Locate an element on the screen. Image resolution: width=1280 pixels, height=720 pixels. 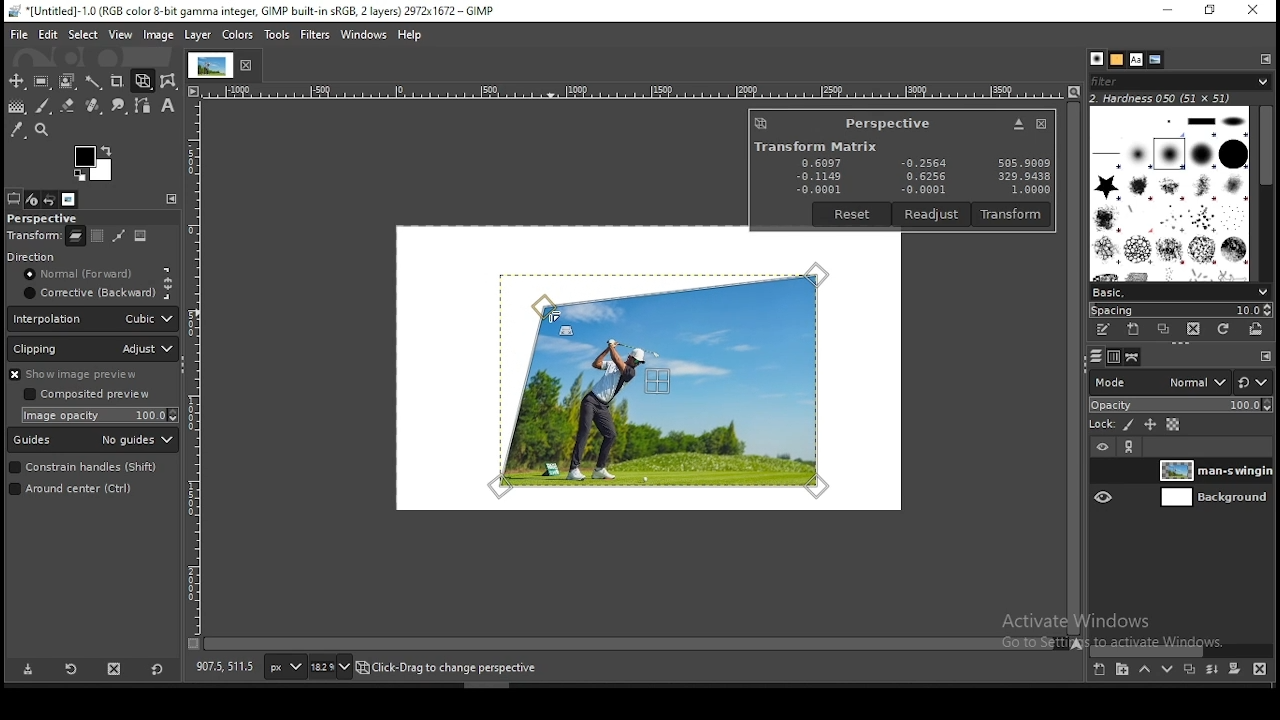
around the center is located at coordinates (84, 491).